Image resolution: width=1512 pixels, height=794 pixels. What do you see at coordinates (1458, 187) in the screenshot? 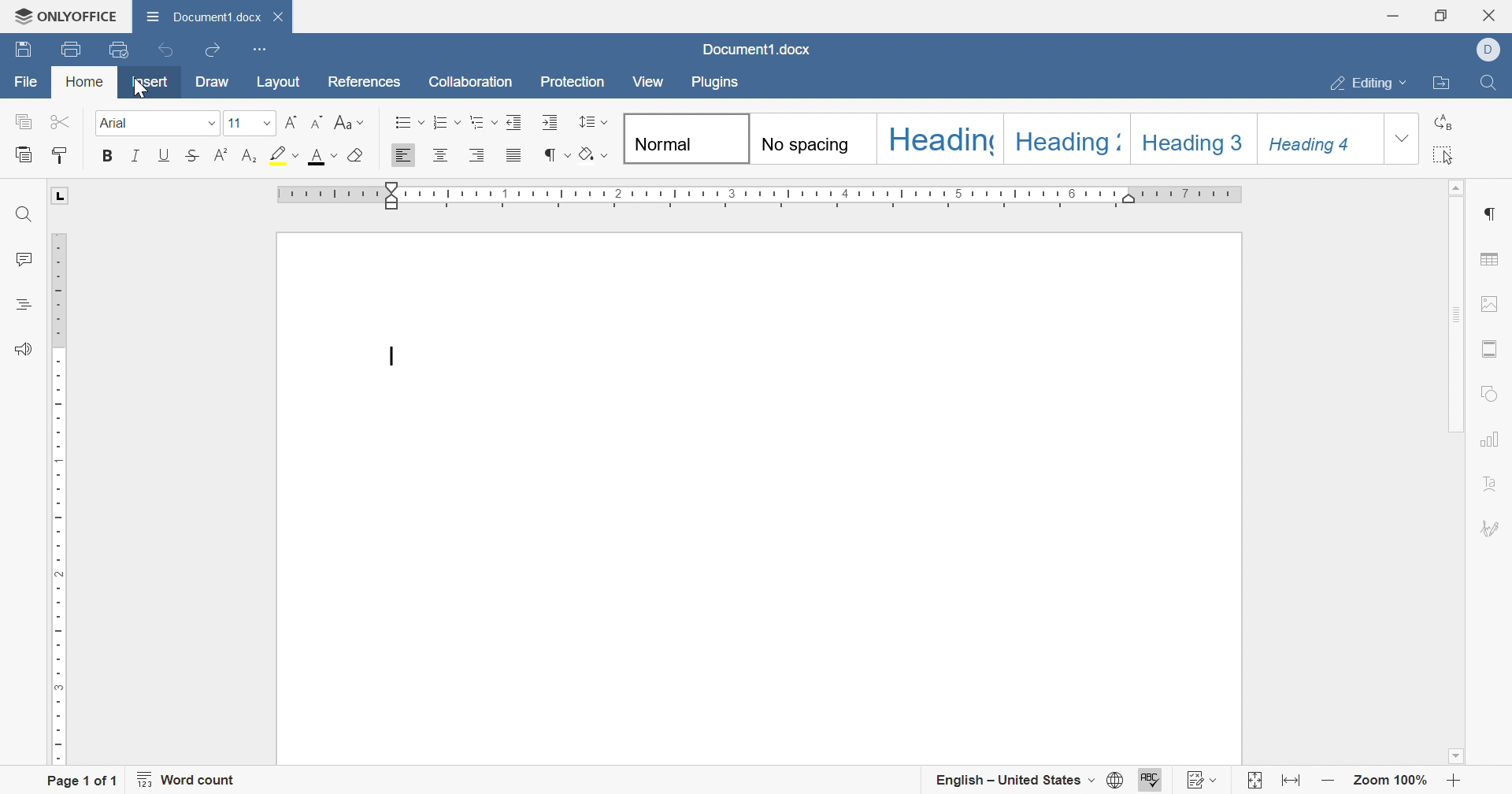
I see `Scroll up` at bounding box center [1458, 187].